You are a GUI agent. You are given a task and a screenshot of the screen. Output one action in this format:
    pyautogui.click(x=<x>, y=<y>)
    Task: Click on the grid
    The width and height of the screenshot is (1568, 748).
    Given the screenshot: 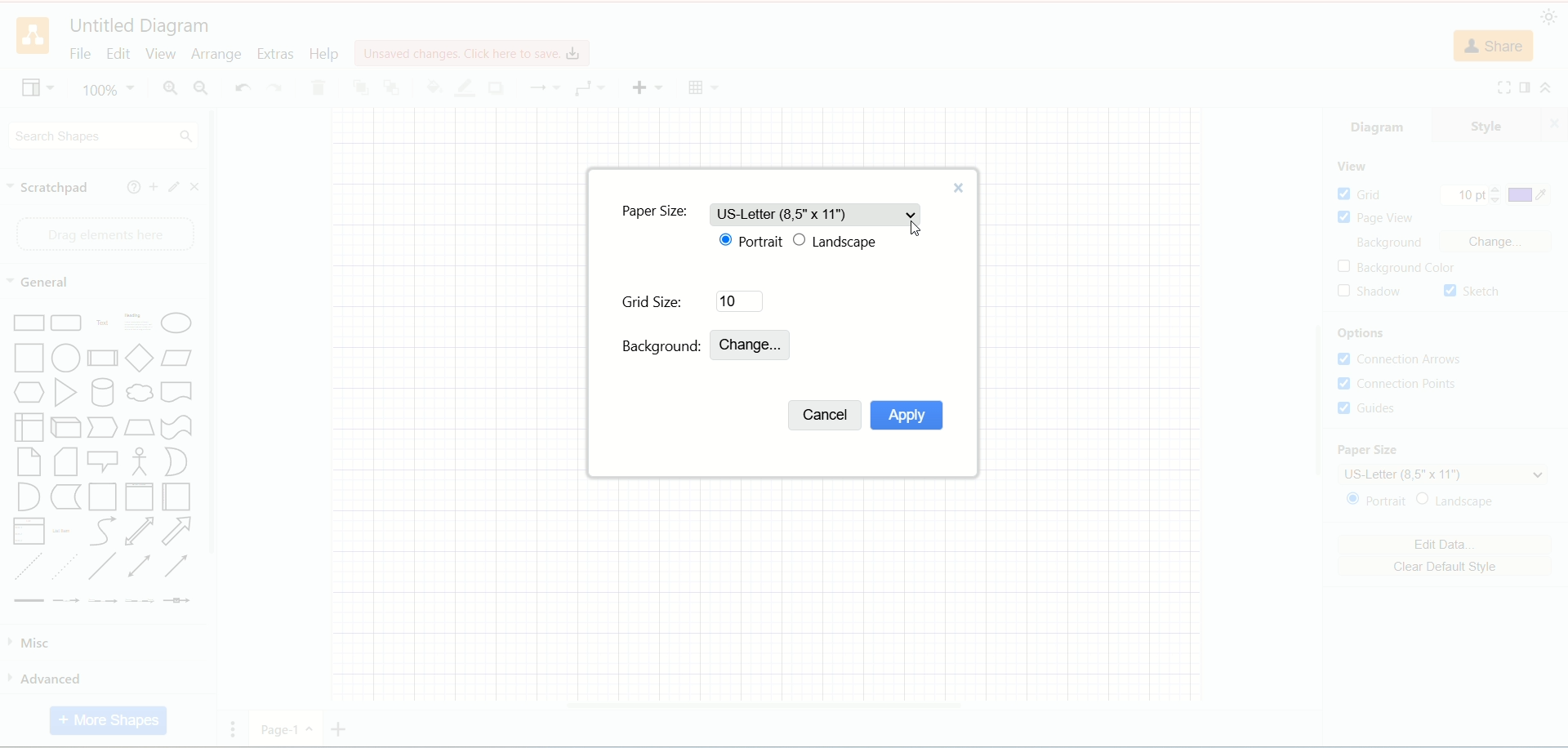 What is the action you would take?
    pyautogui.click(x=1361, y=194)
    